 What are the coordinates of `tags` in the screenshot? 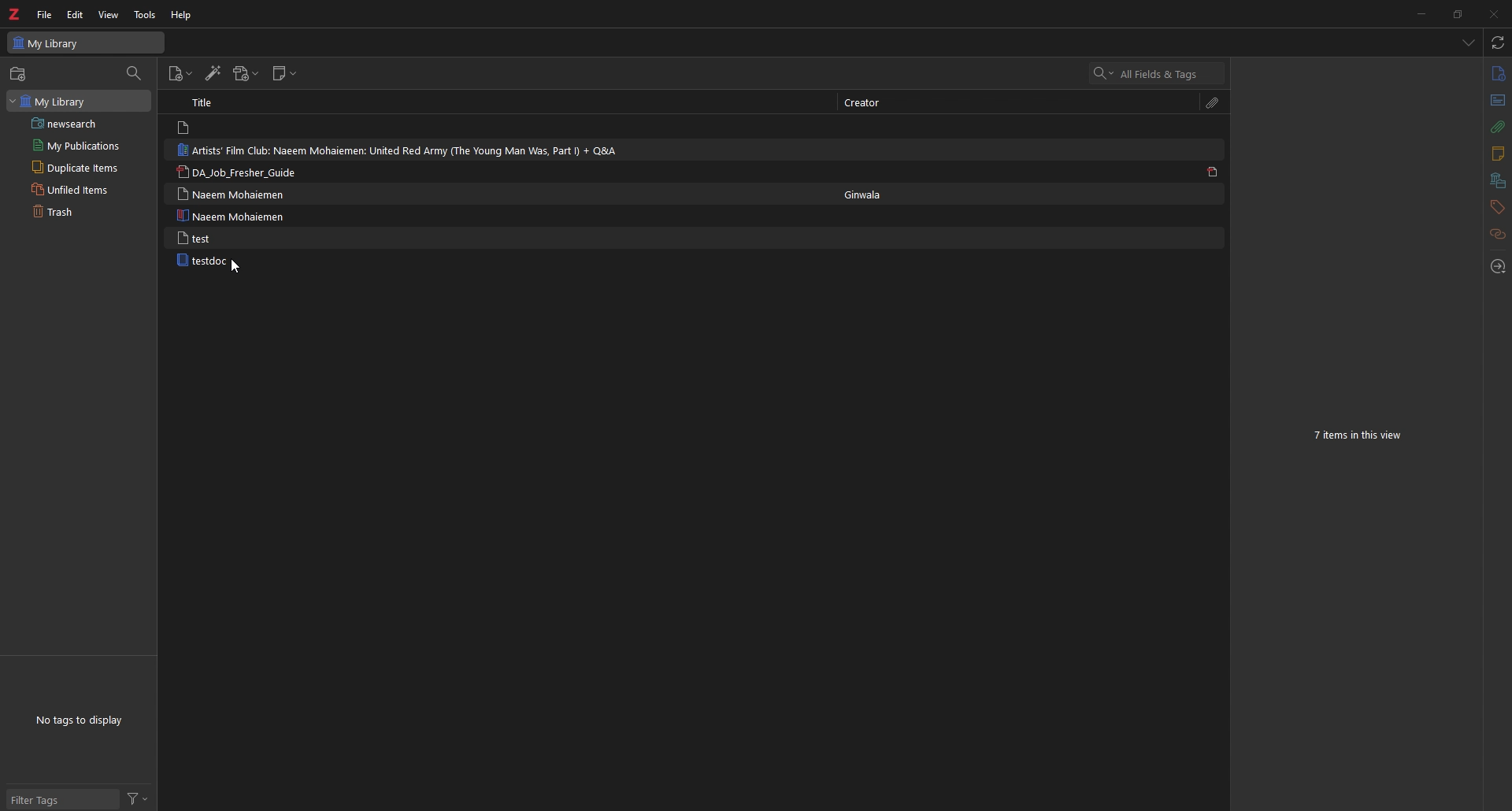 It's located at (1496, 207).